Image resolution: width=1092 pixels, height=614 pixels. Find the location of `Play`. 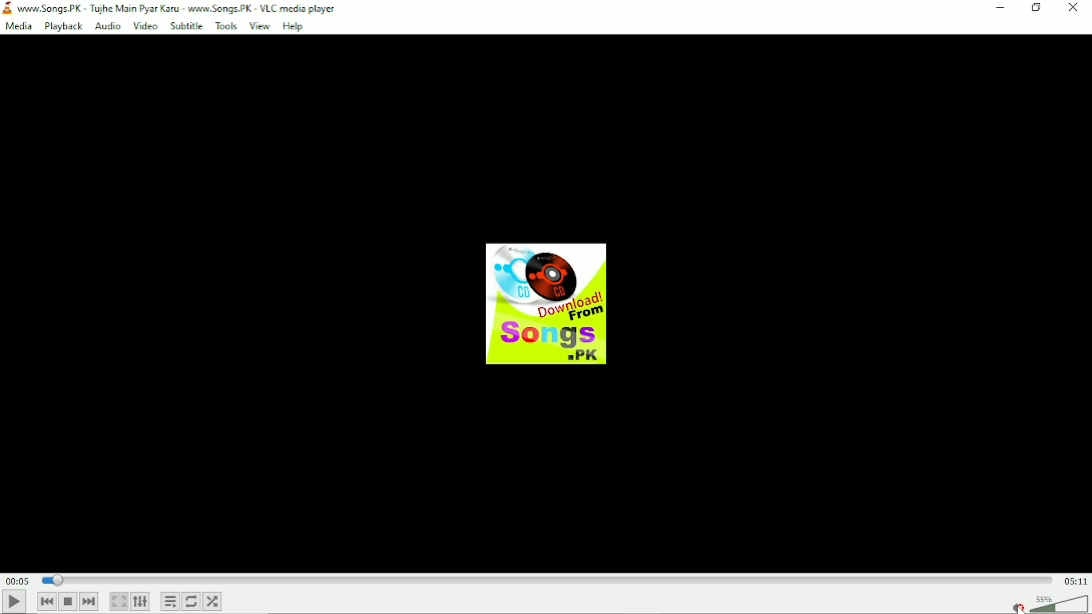

Play is located at coordinates (17, 602).